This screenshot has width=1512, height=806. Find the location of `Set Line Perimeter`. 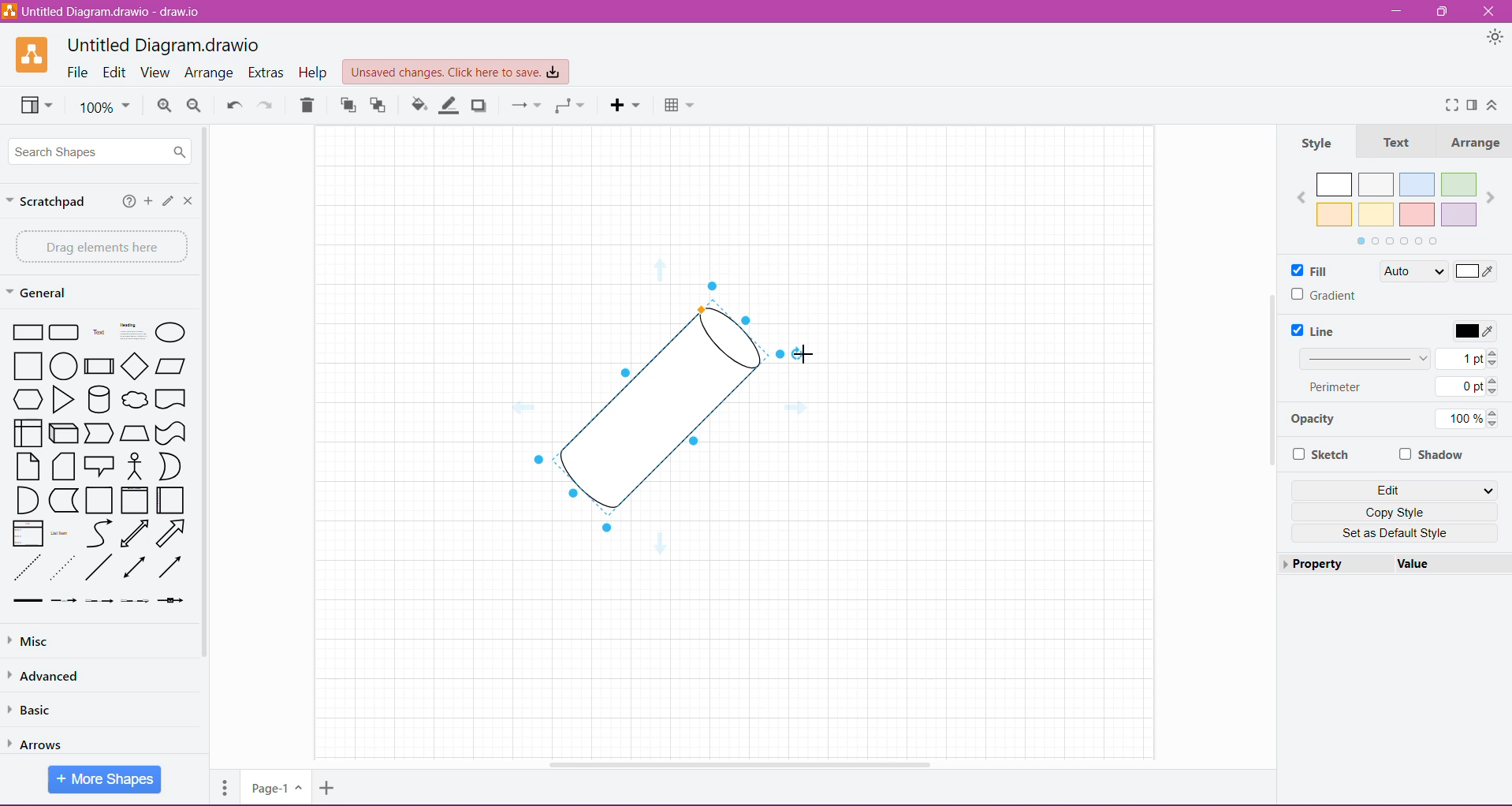

Set Line Perimeter is located at coordinates (1398, 388).